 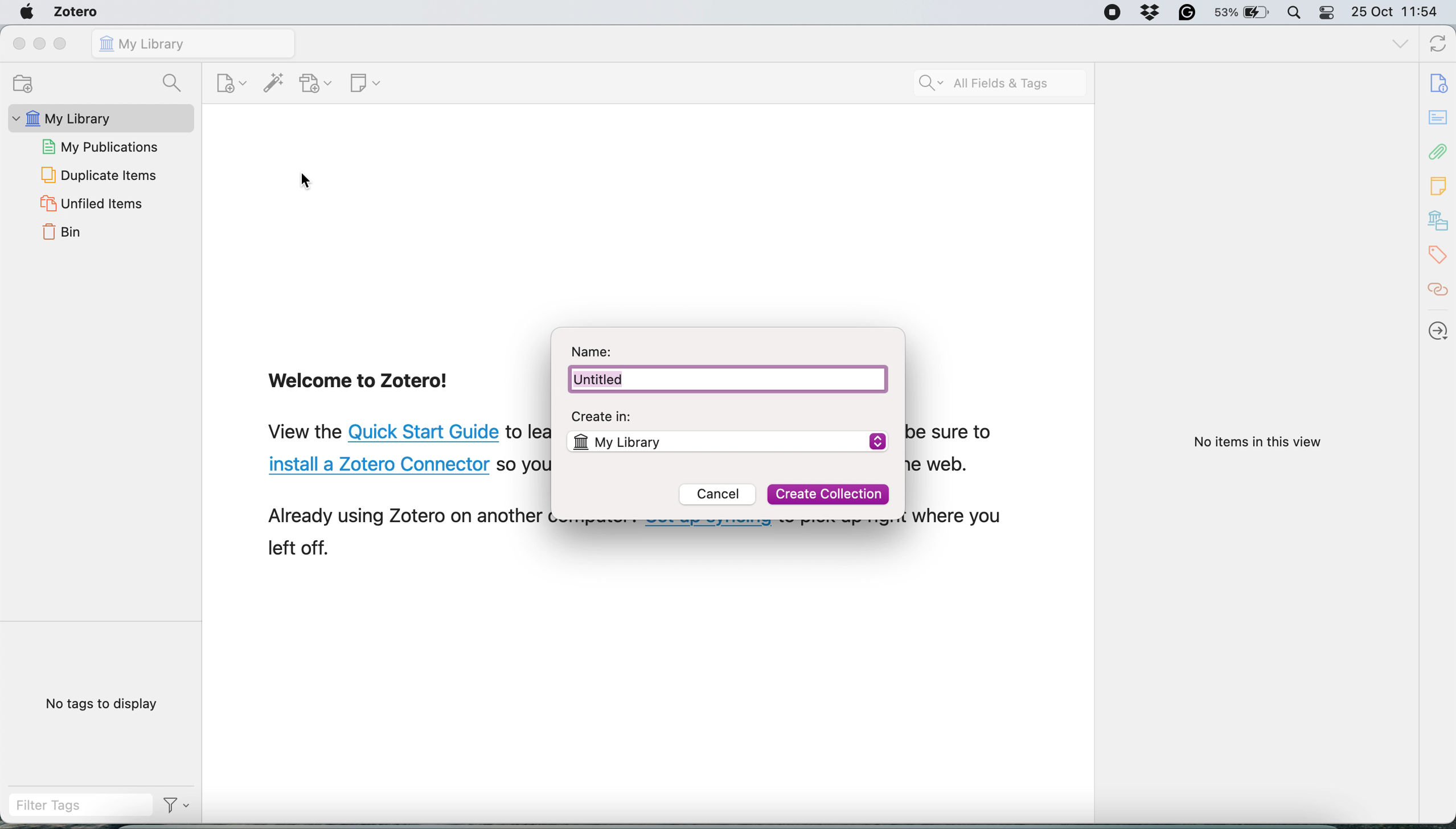 What do you see at coordinates (720, 496) in the screenshot?
I see `Cancel` at bounding box center [720, 496].